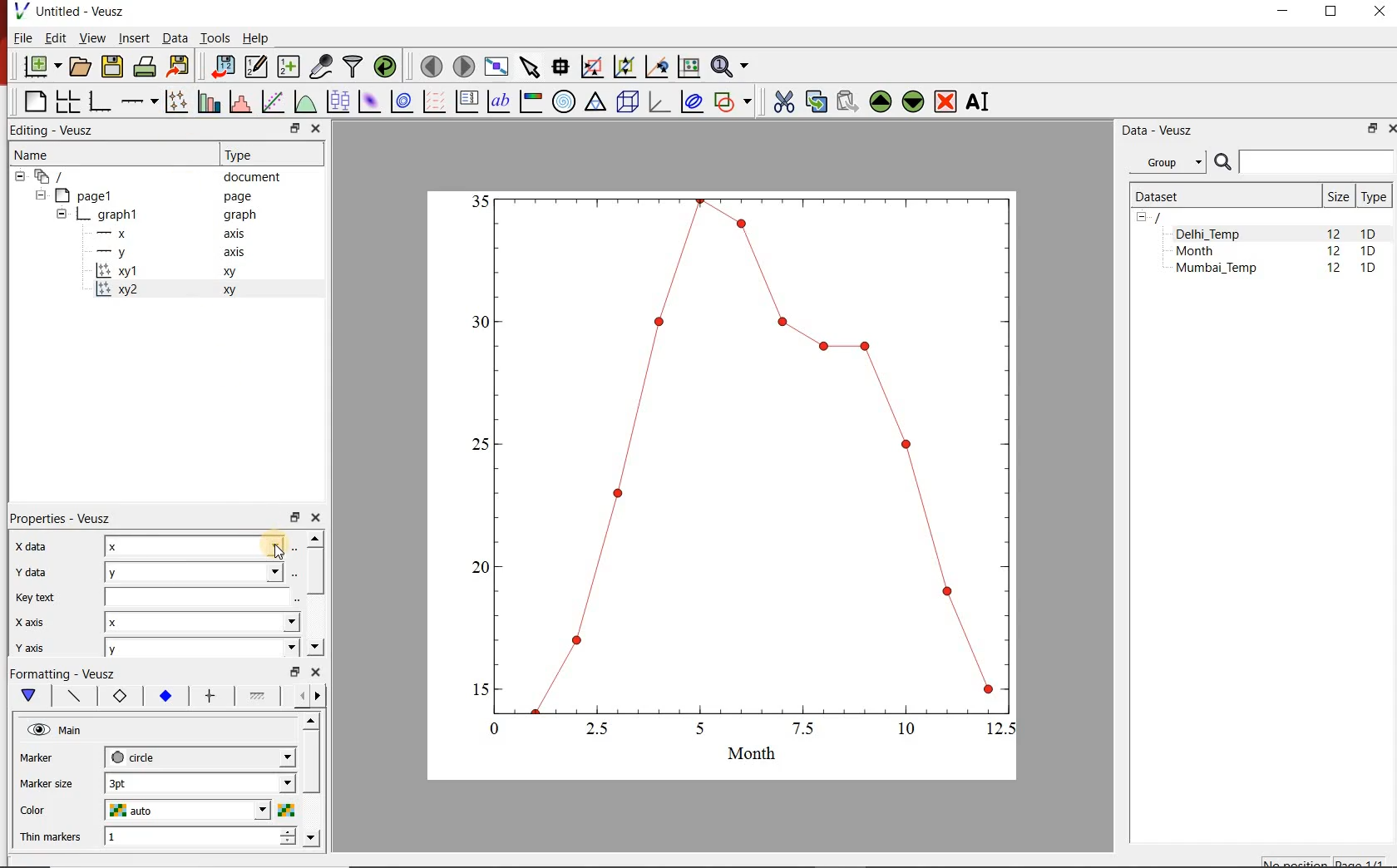  Describe the element at coordinates (1368, 252) in the screenshot. I see `1D` at that location.